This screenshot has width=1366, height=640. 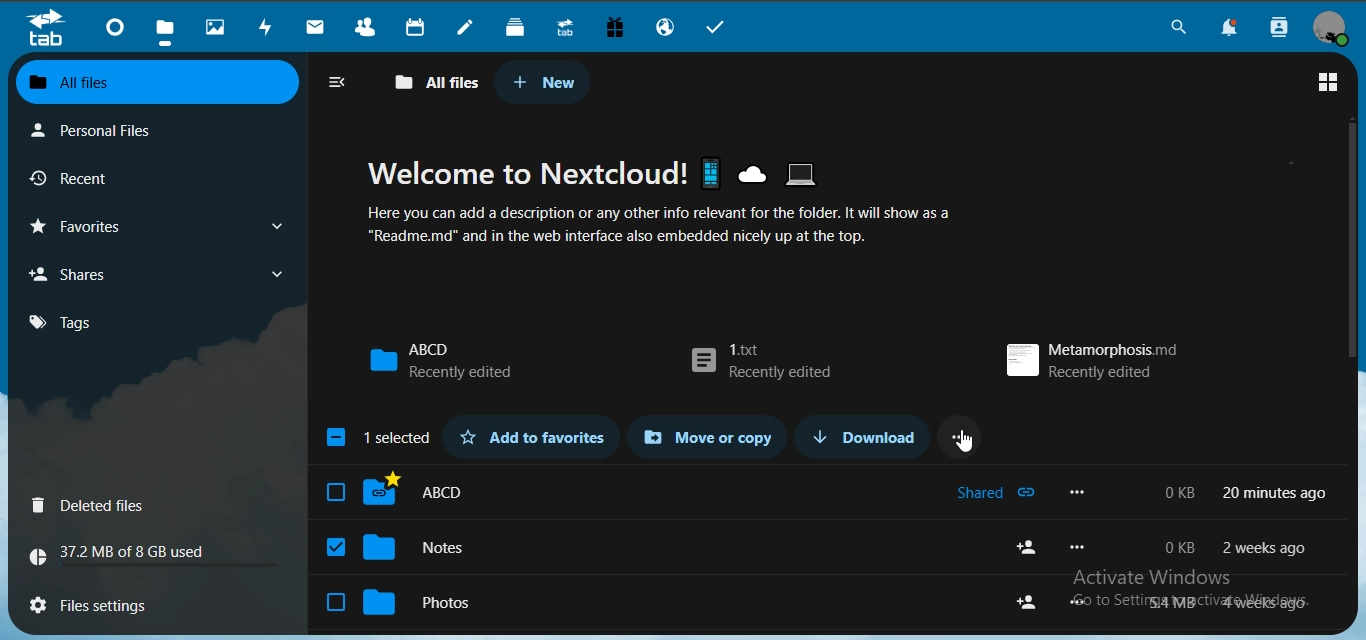 What do you see at coordinates (763, 365) in the screenshot?
I see `1.txt recently edited` at bounding box center [763, 365].